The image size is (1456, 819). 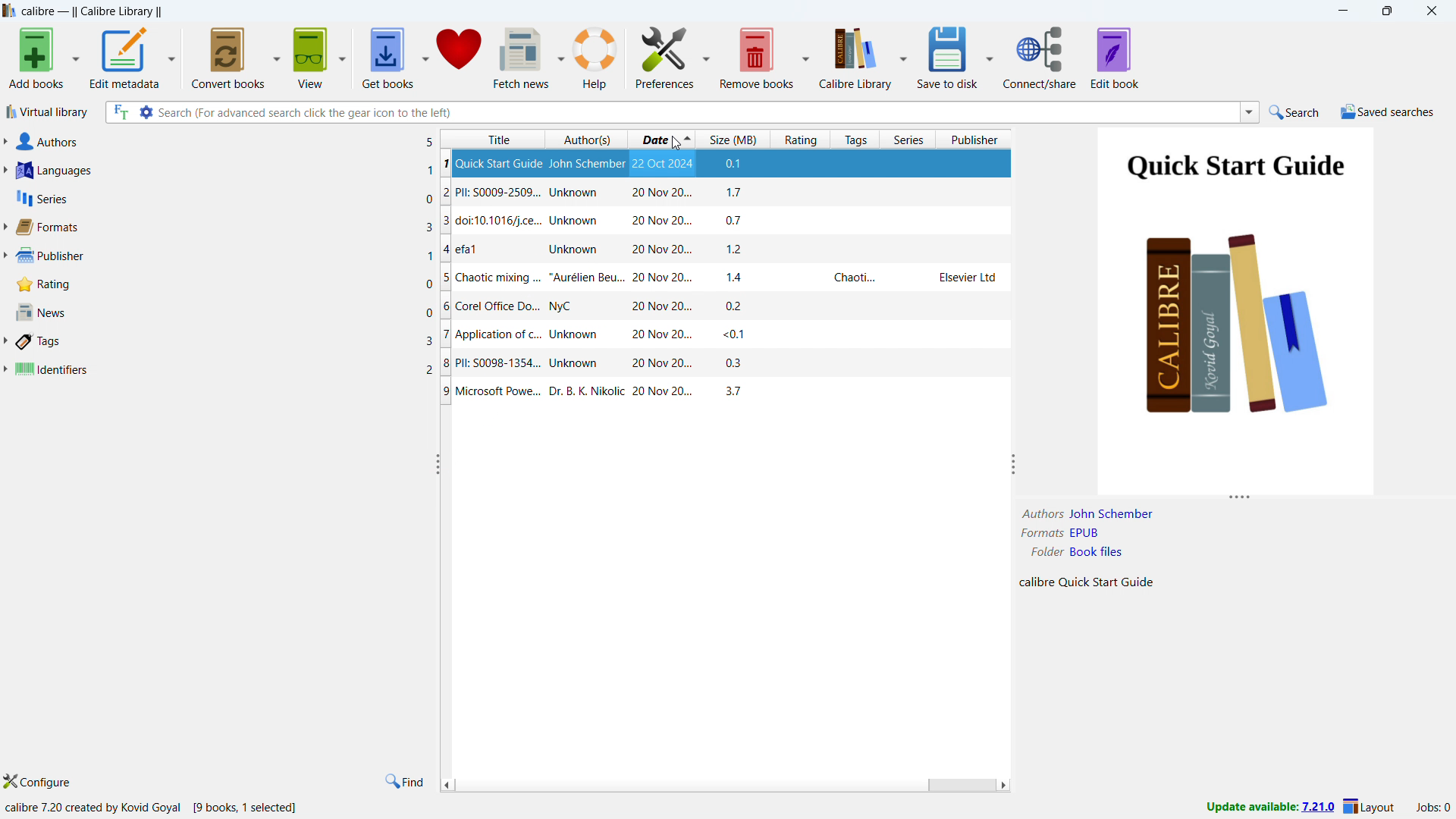 I want to click on tags, so click(x=226, y=342).